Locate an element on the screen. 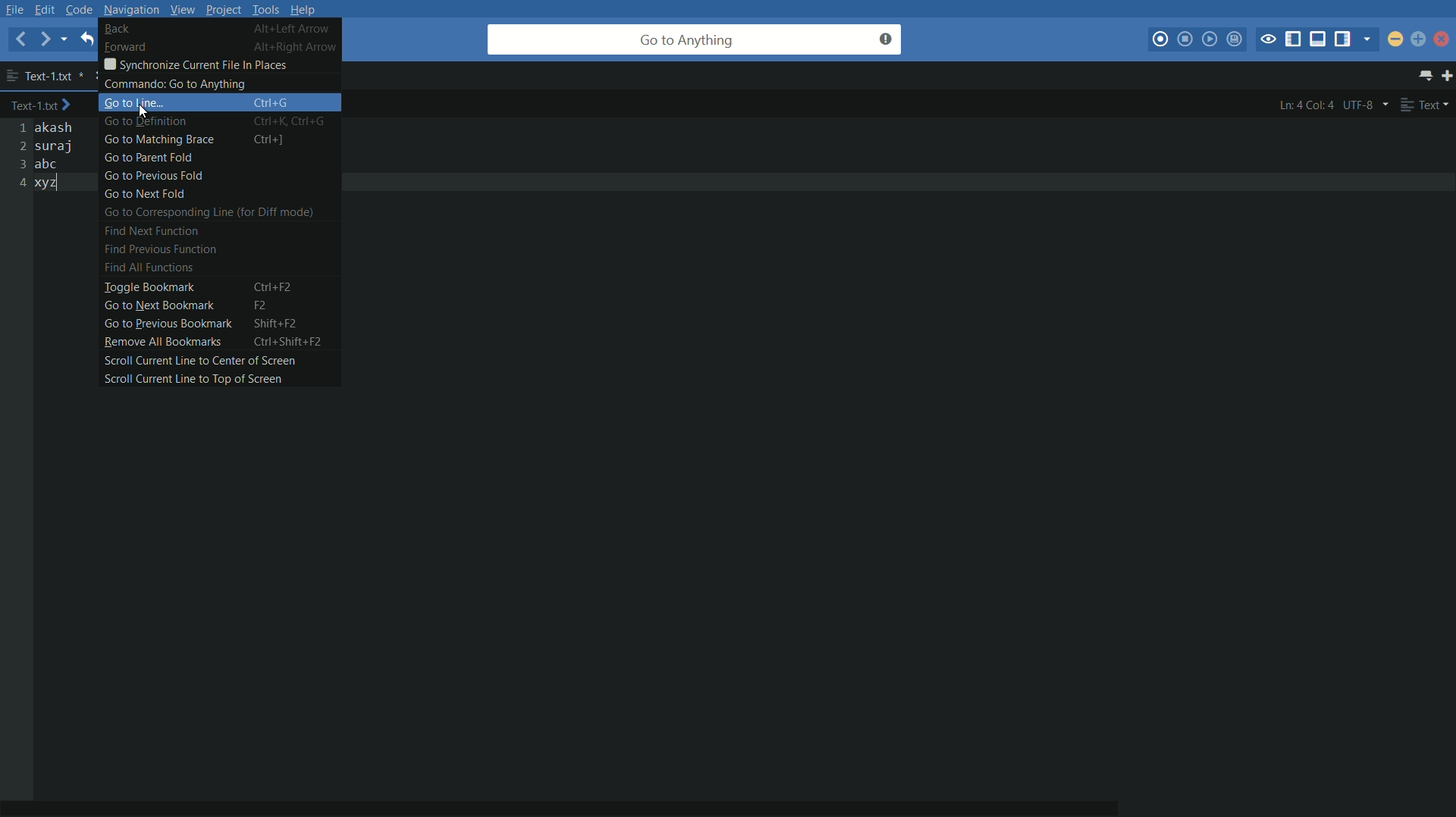  text cursor is located at coordinates (65, 186).